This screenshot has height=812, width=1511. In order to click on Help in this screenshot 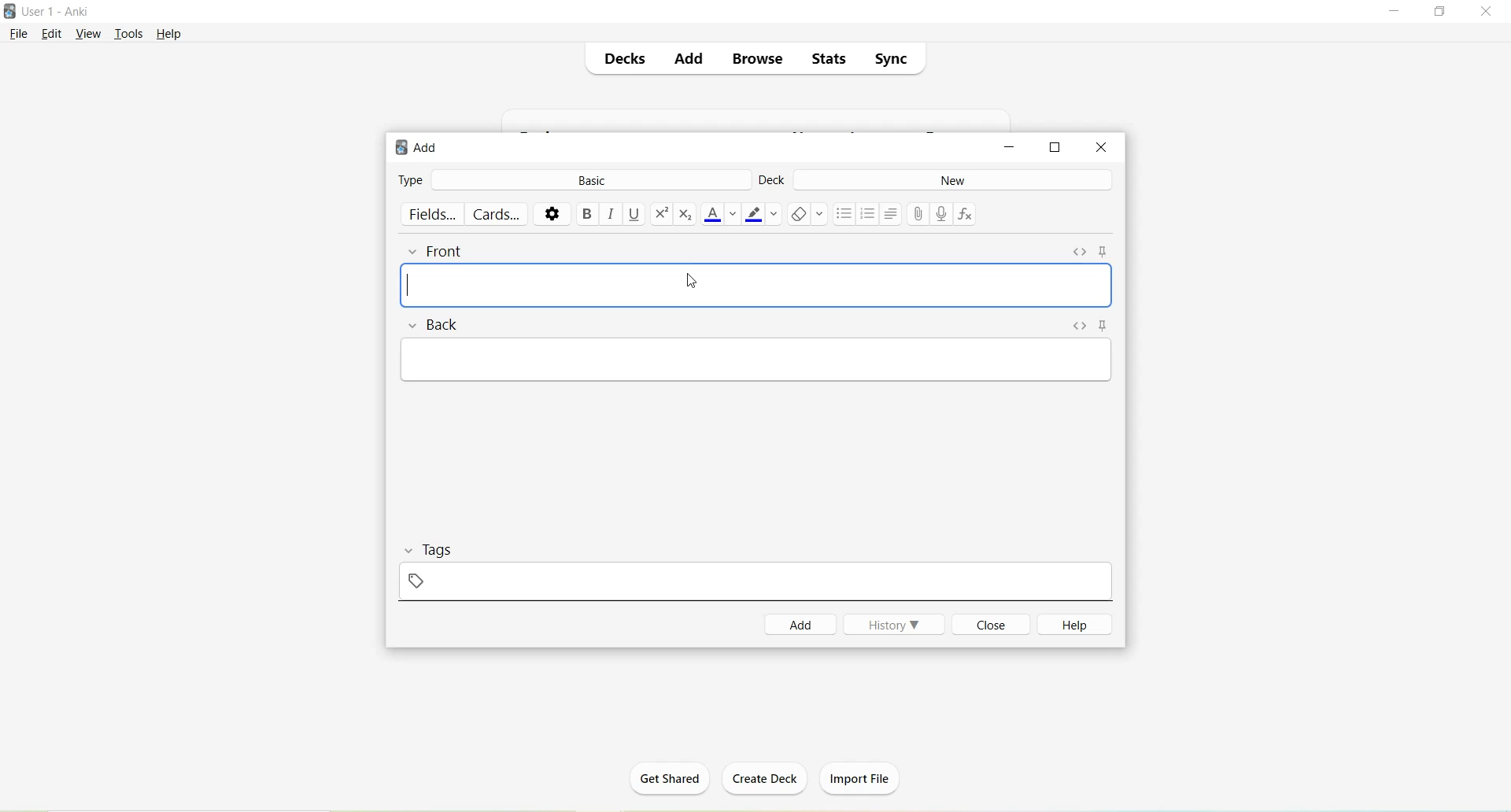, I will do `click(1070, 625)`.